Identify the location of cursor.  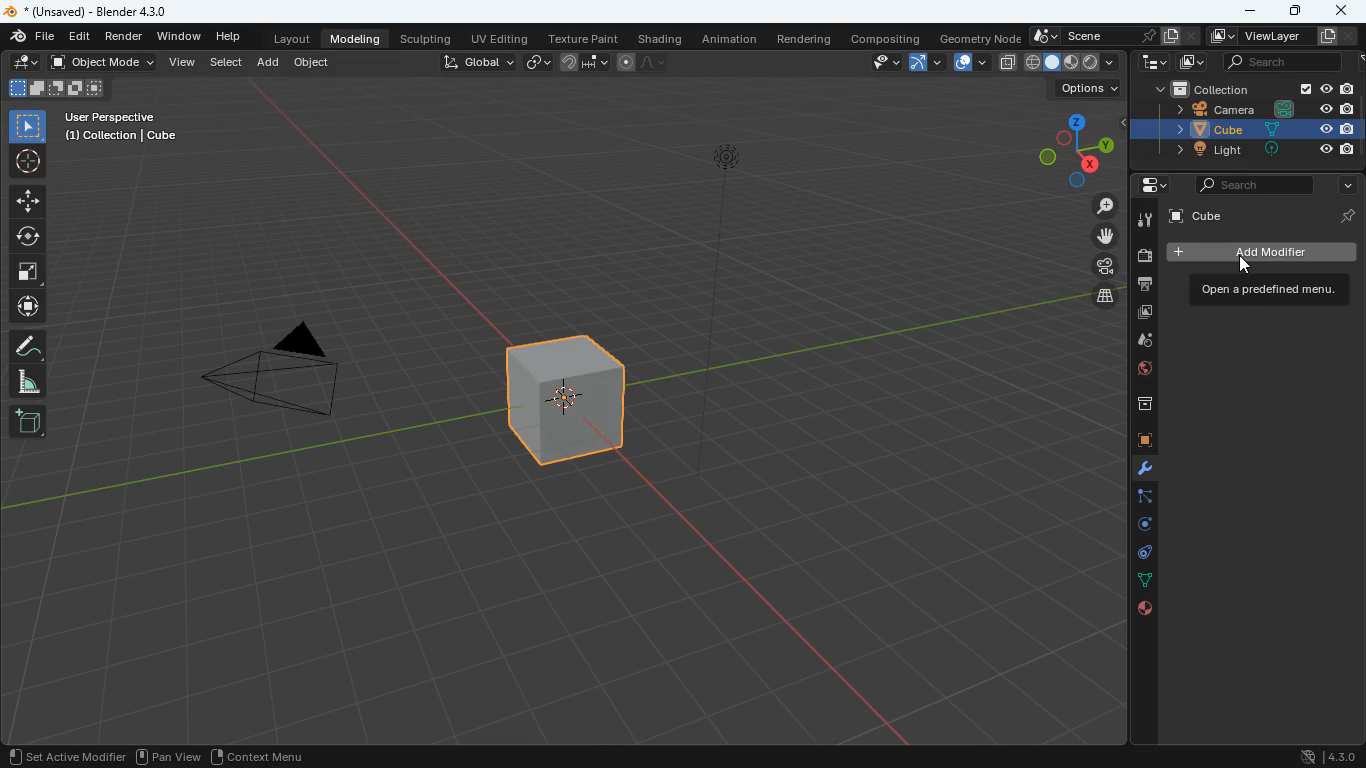
(1252, 264).